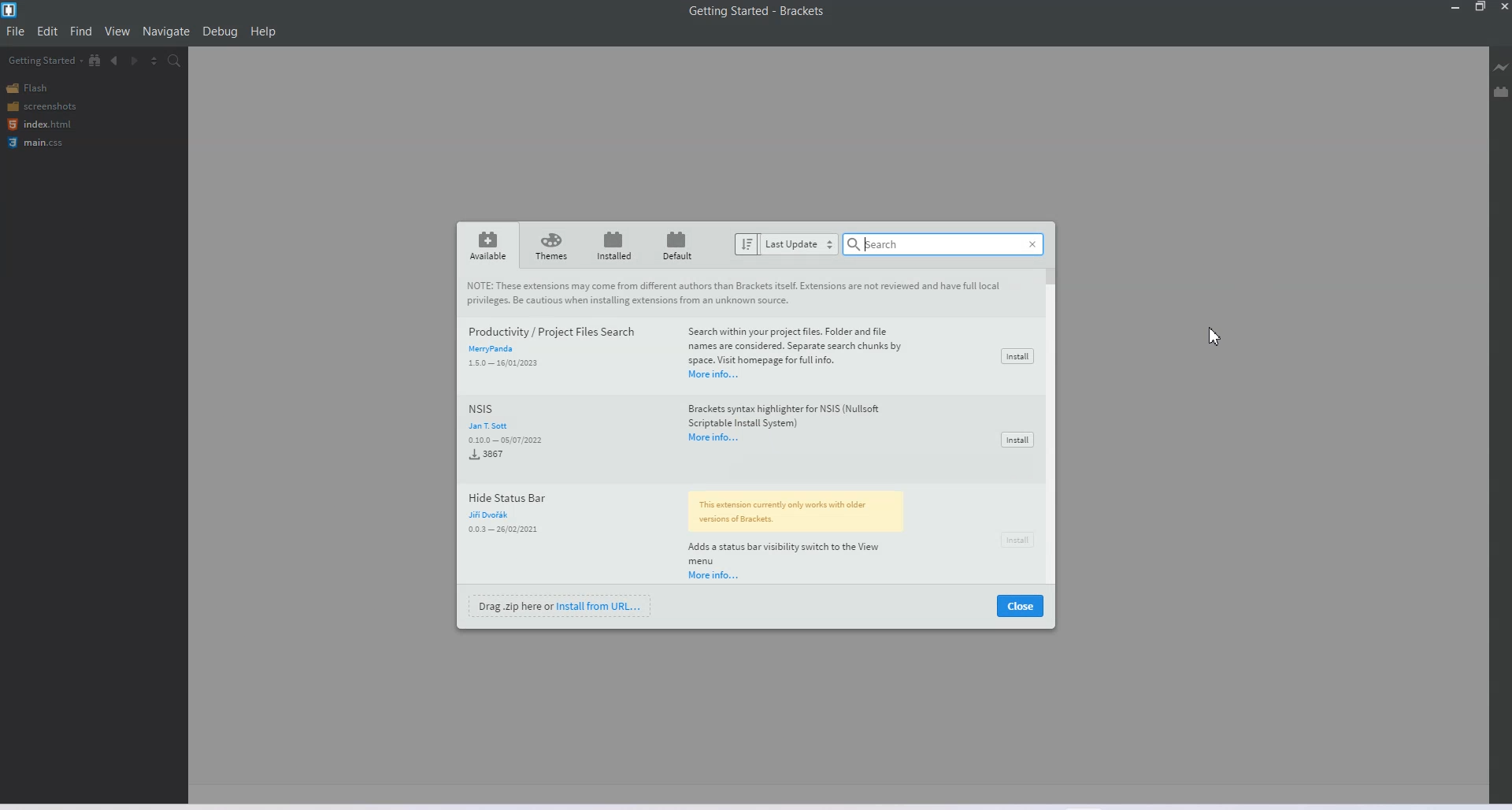  What do you see at coordinates (1055, 425) in the screenshot?
I see `scrollbar` at bounding box center [1055, 425].